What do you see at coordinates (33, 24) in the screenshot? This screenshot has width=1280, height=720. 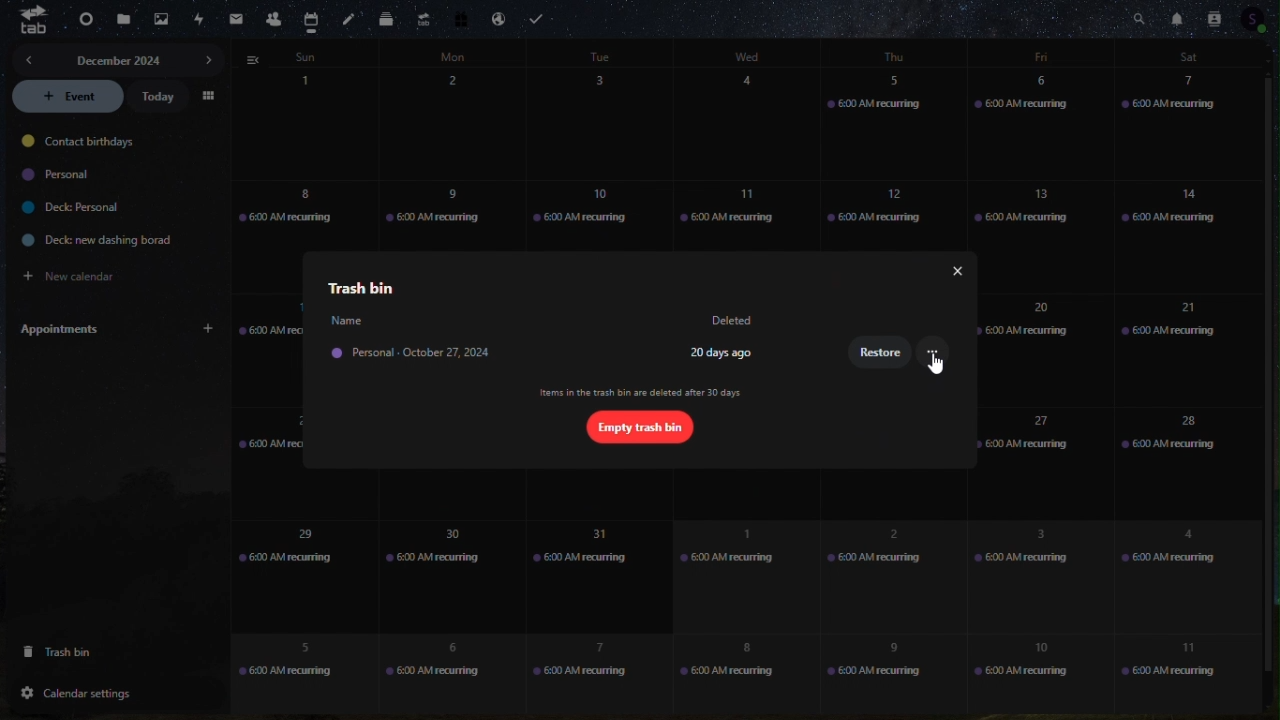 I see `tab` at bounding box center [33, 24].